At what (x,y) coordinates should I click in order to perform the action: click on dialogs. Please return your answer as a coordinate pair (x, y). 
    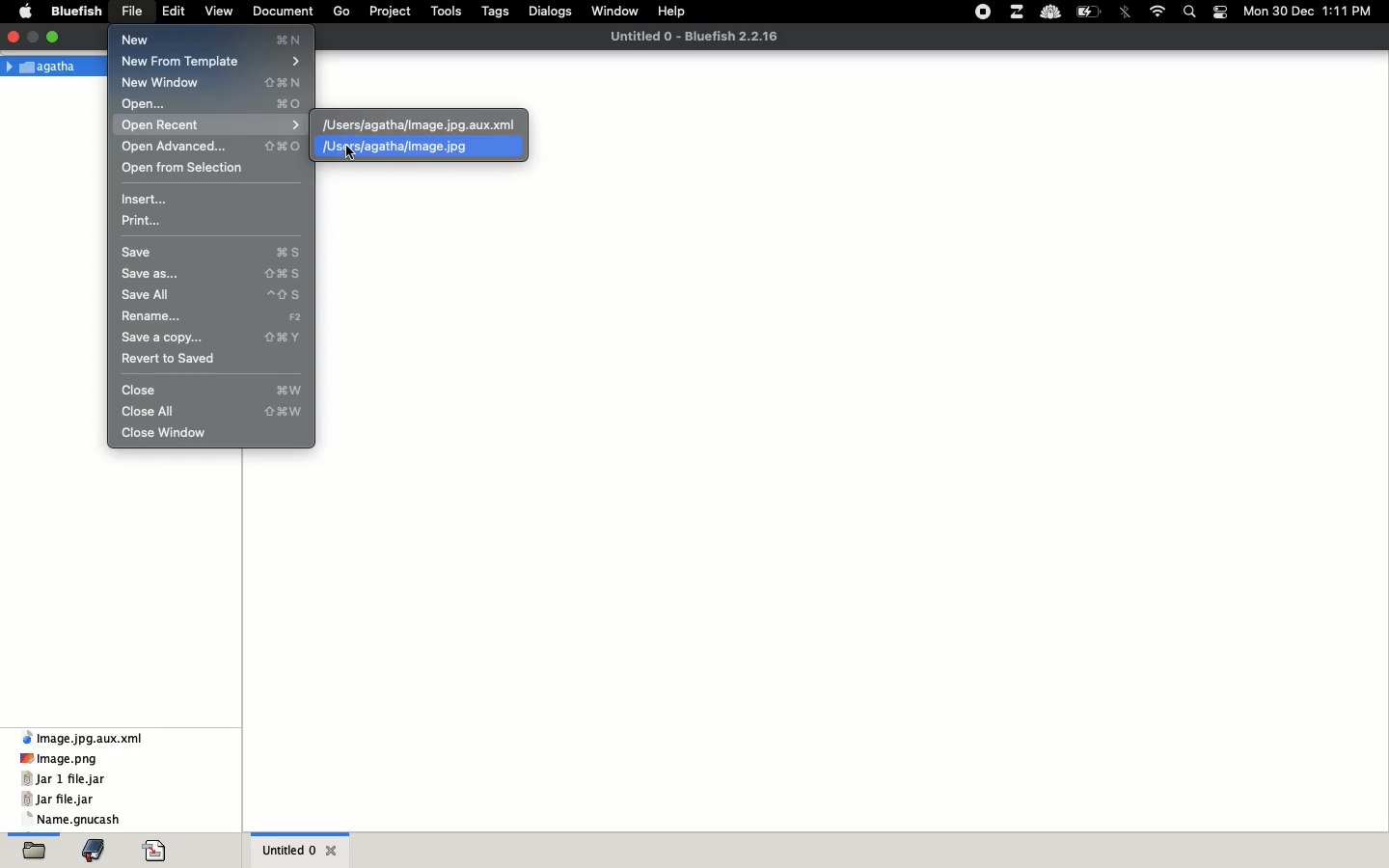
    Looking at the image, I should click on (551, 11).